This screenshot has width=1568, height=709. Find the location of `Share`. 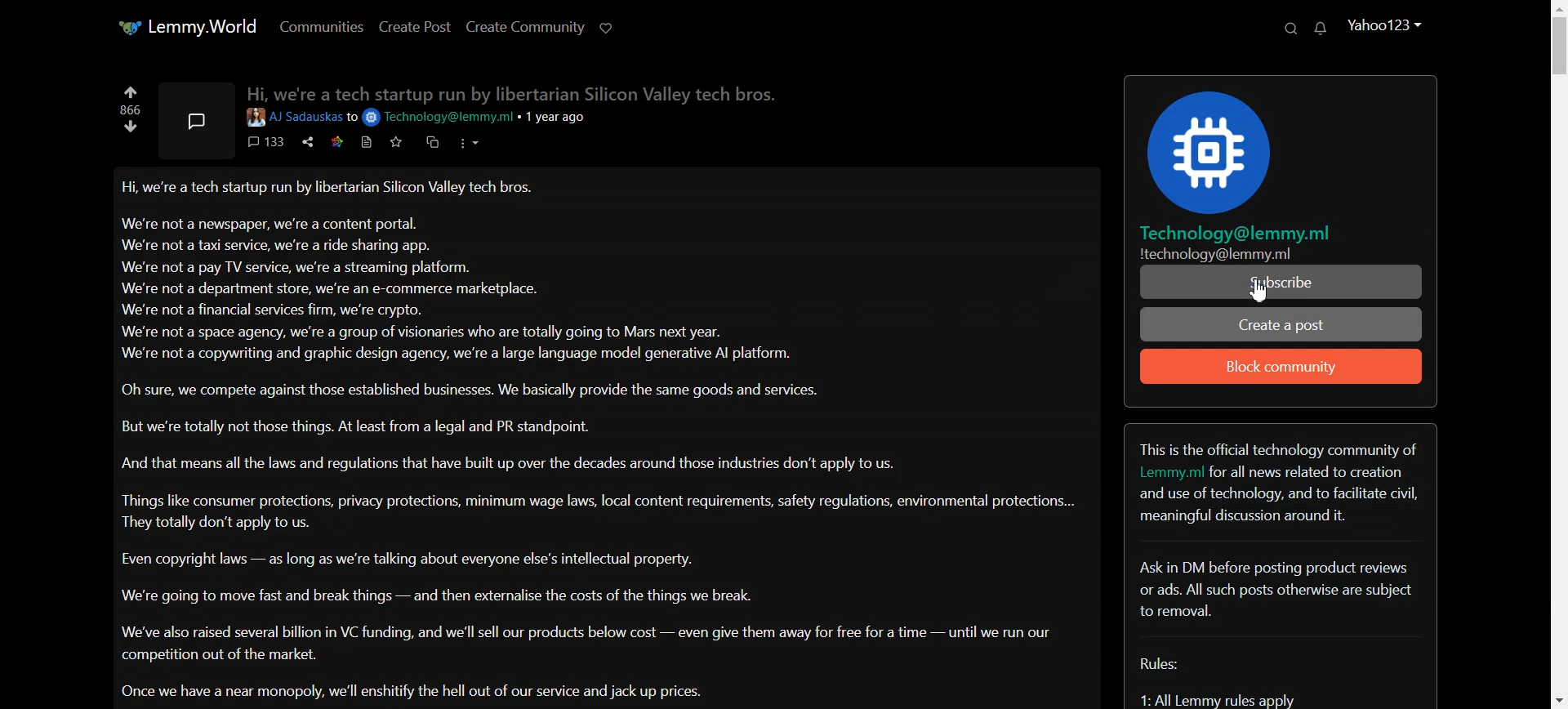

Share is located at coordinates (306, 141).